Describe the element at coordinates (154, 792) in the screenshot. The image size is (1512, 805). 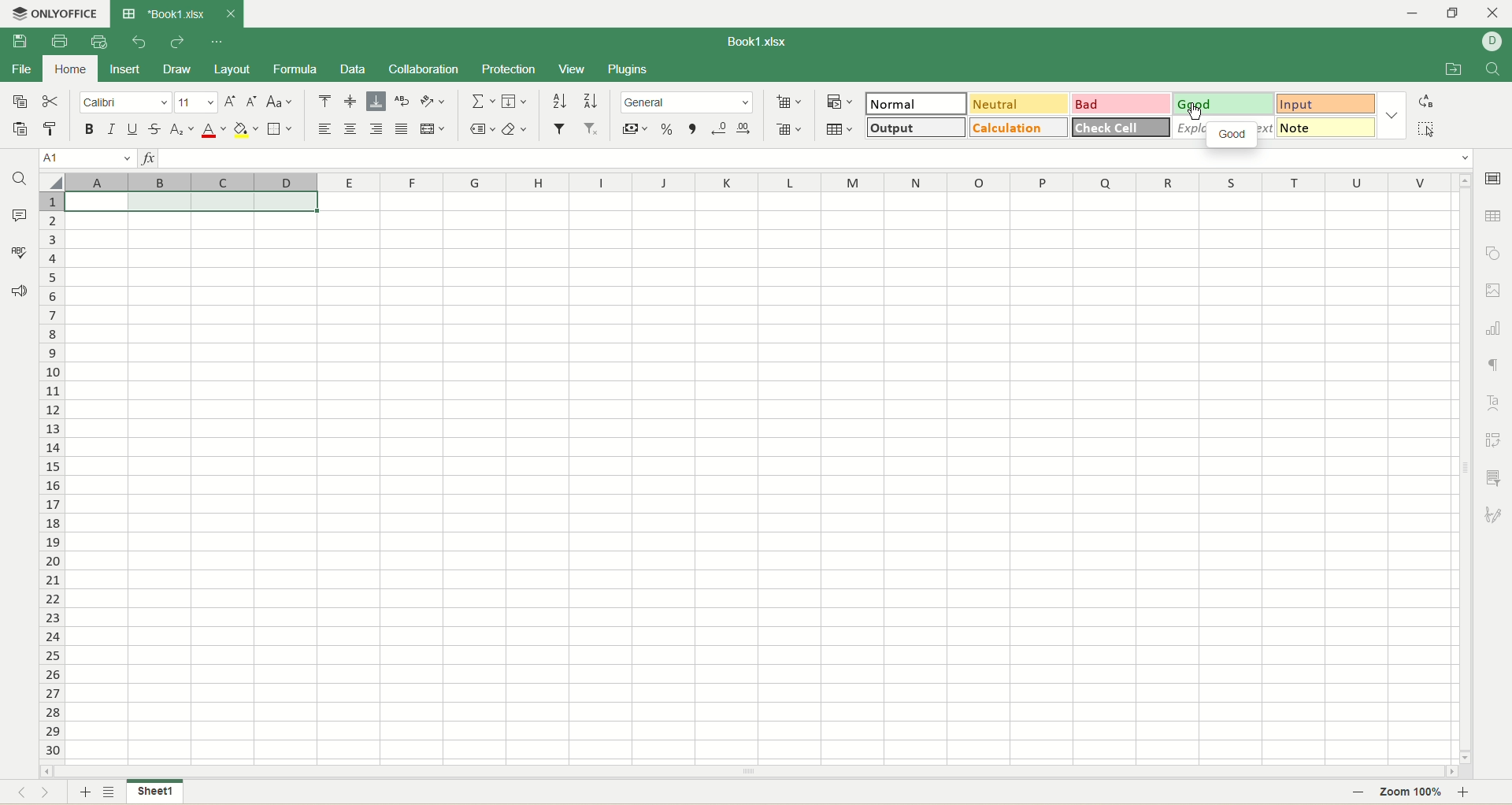
I see `sheet name` at that location.